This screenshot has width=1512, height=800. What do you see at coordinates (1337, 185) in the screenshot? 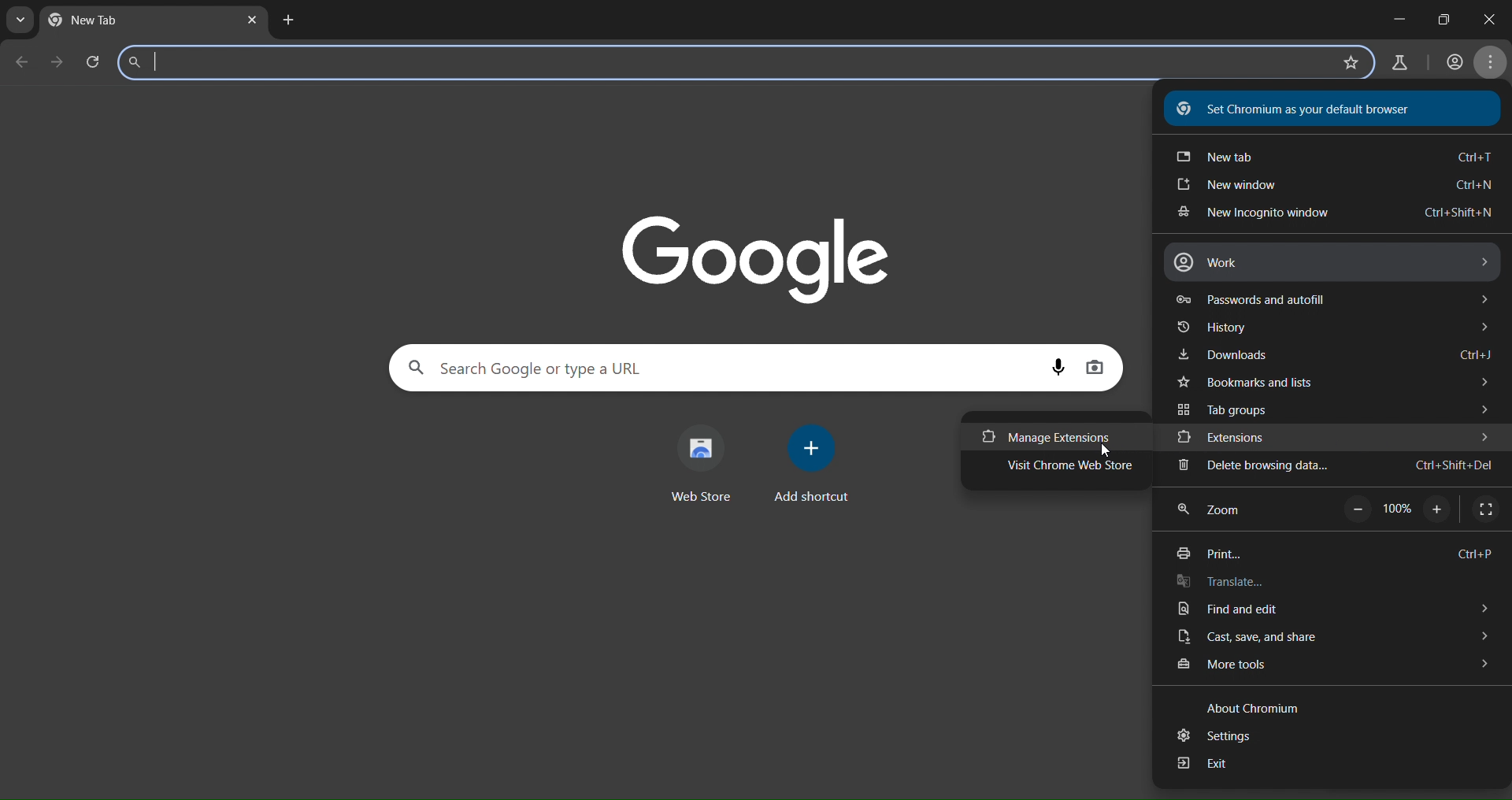
I see `new window` at bounding box center [1337, 185].